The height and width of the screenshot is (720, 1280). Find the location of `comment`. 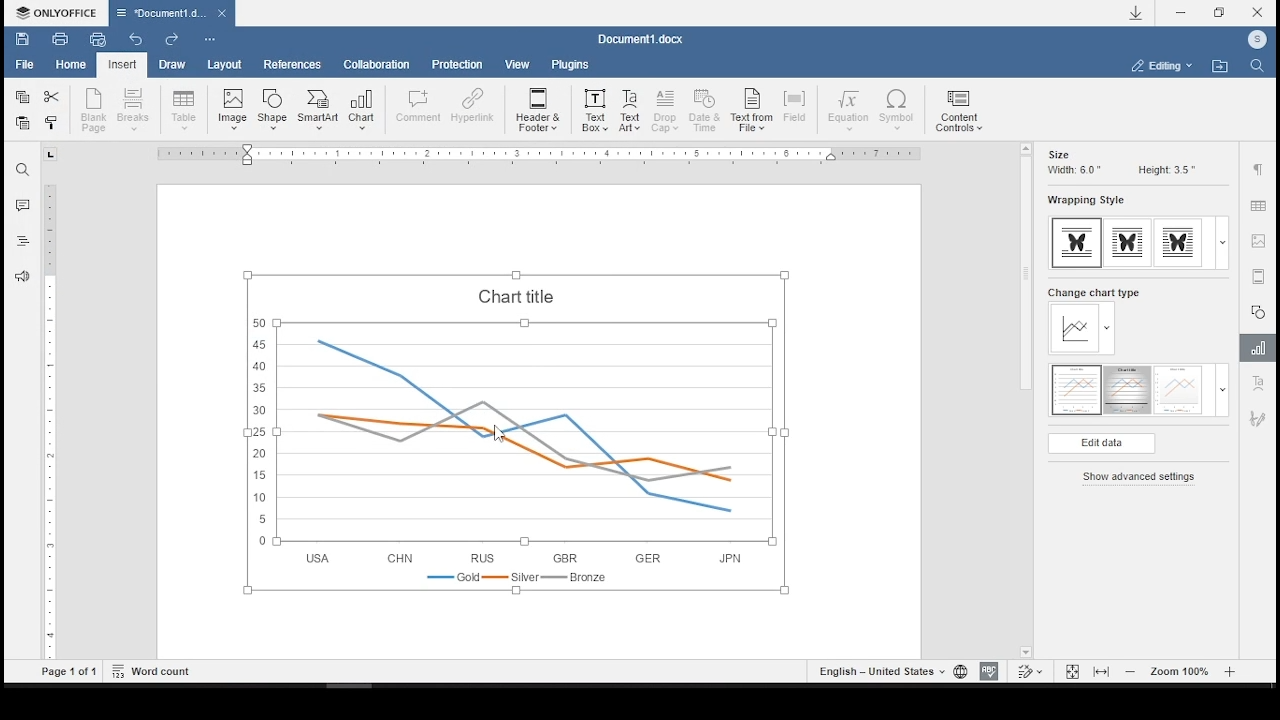

comment is located at coordinates (418, 109).